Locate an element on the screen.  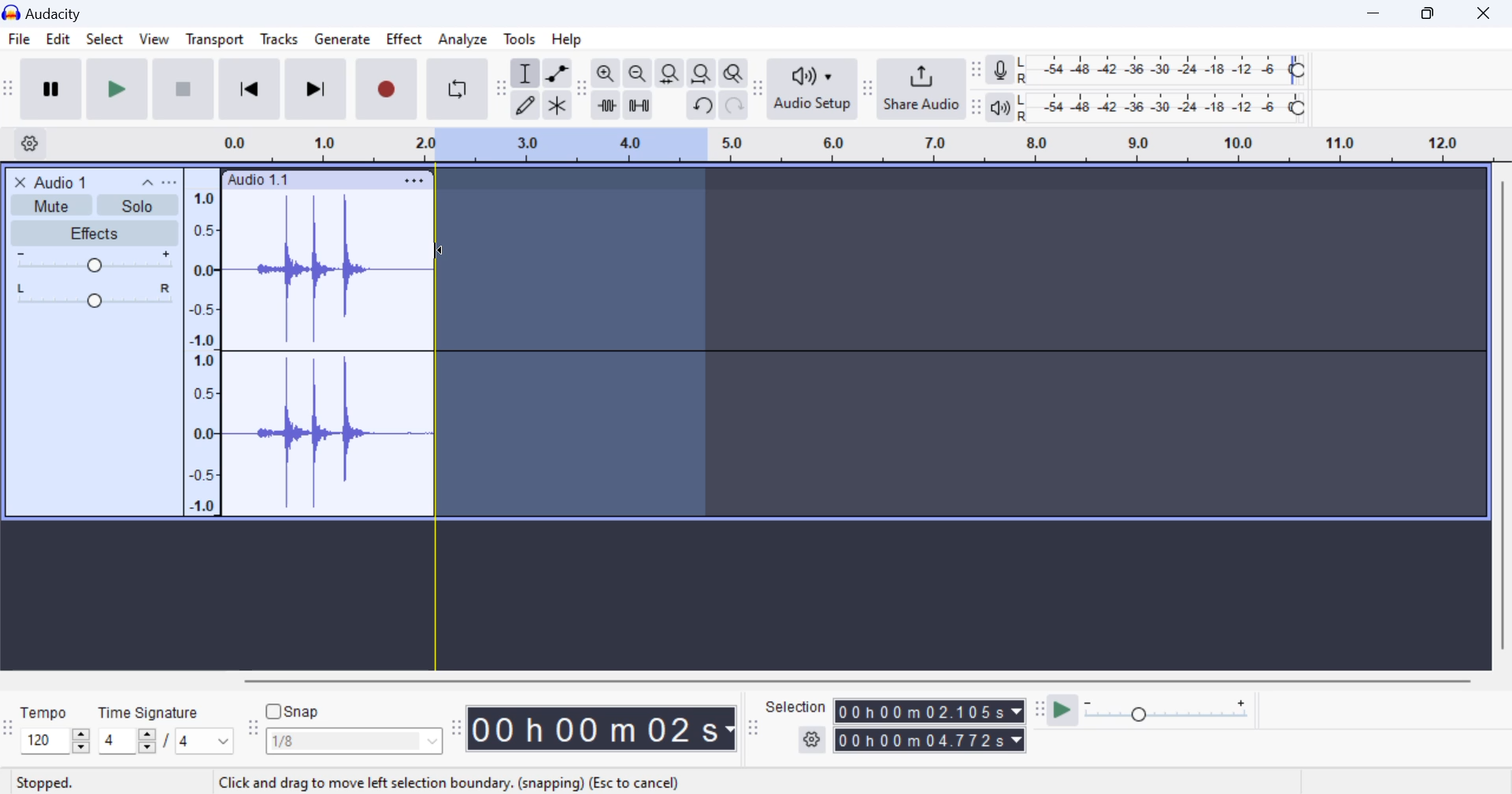
Stop is located at coordinates (185, 88).